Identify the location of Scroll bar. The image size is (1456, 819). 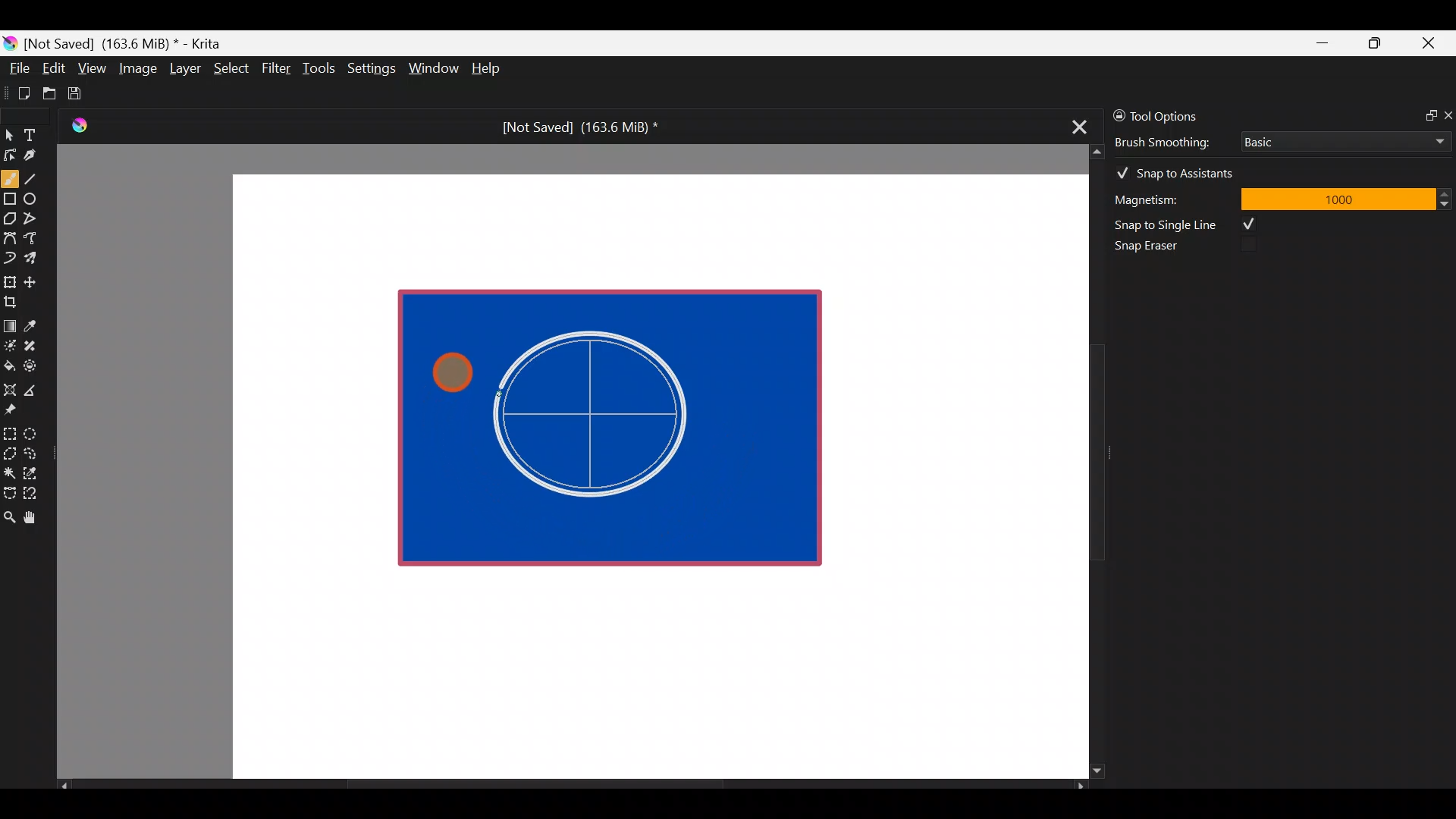
(572, 786).